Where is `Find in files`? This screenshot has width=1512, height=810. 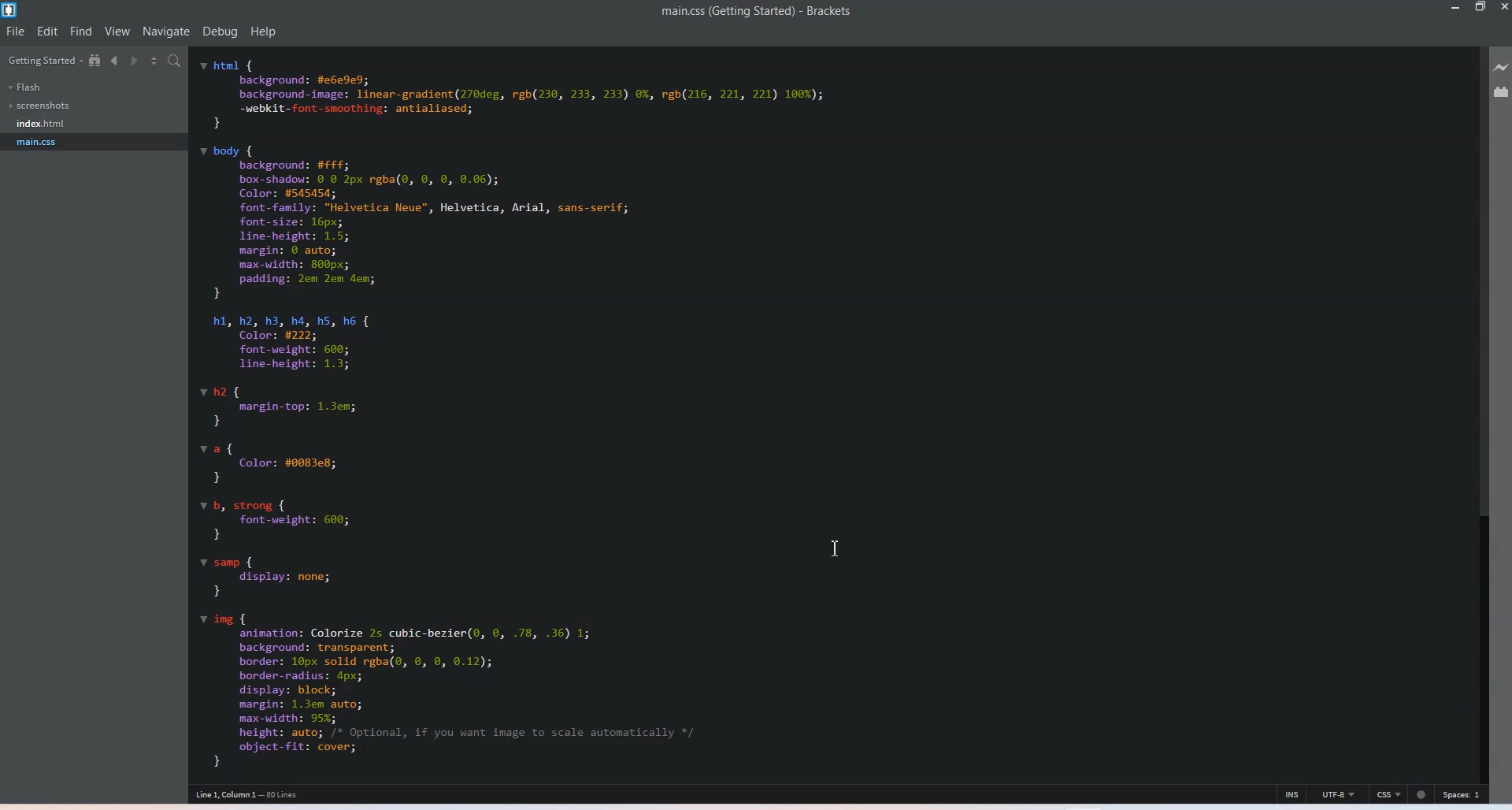 Find in files is located at coordinates (176, 62).